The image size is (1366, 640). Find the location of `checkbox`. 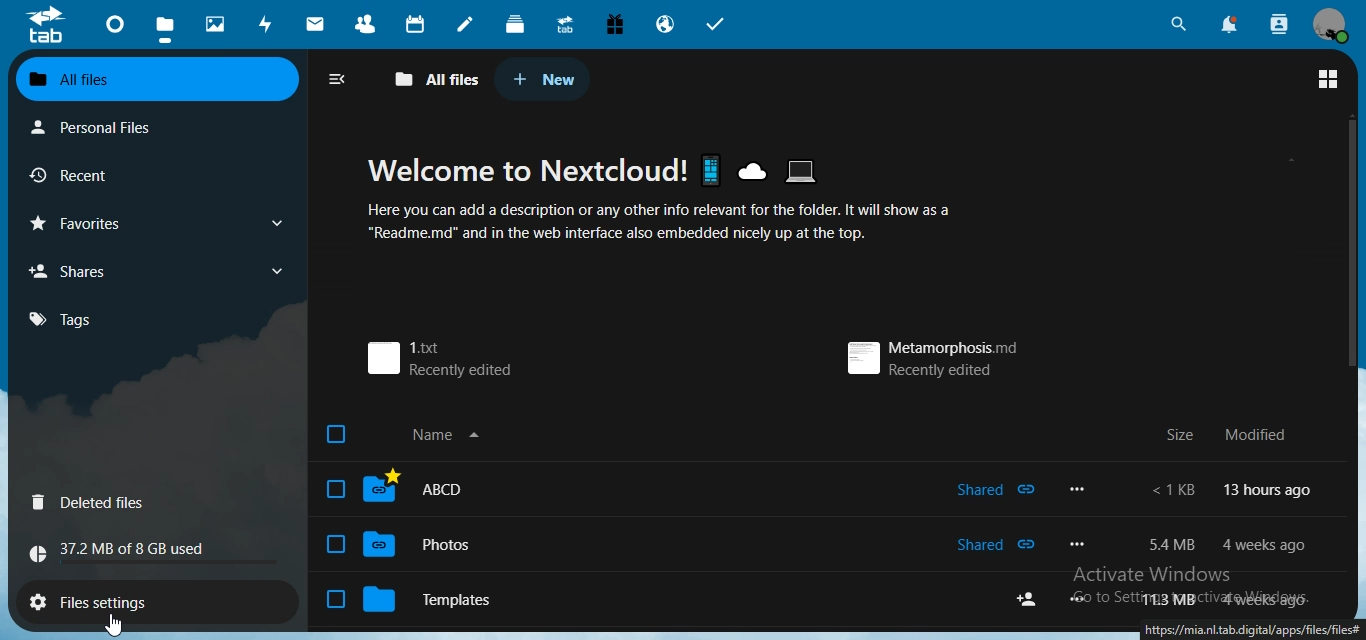

checkbox is located at coordinates (335, 432).